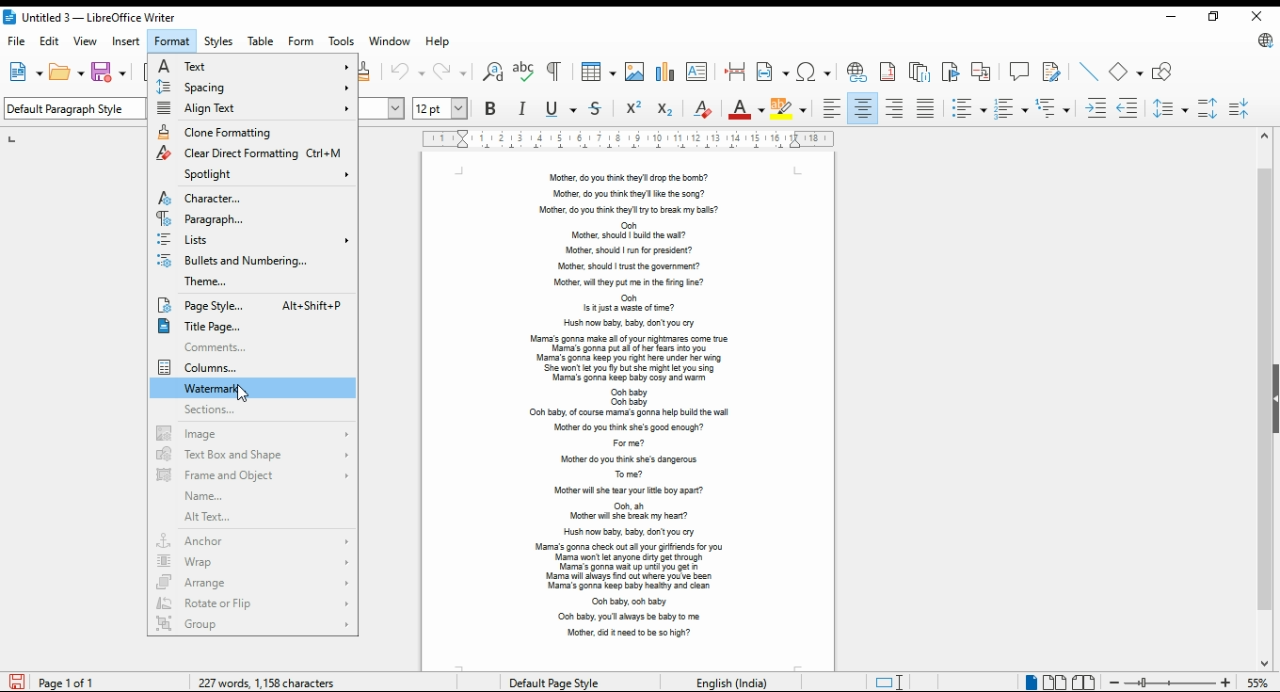 This screenshot has width=1280, height=692. What do you see at coordinates (442, 108) in the screenshot?
I see `font size` at bounding box center [442, 108].